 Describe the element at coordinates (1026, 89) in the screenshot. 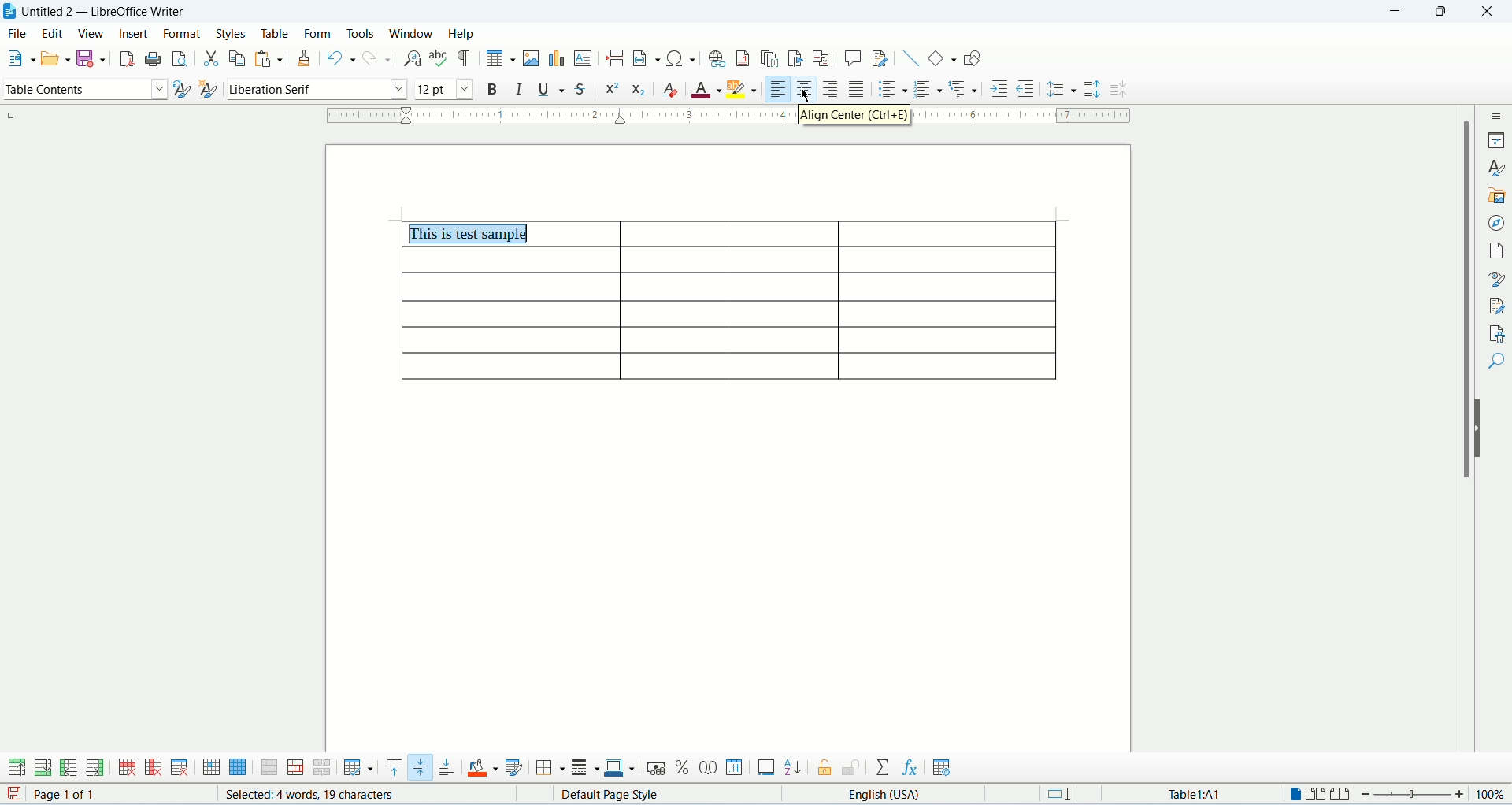

I see `decrease indent` at that location.